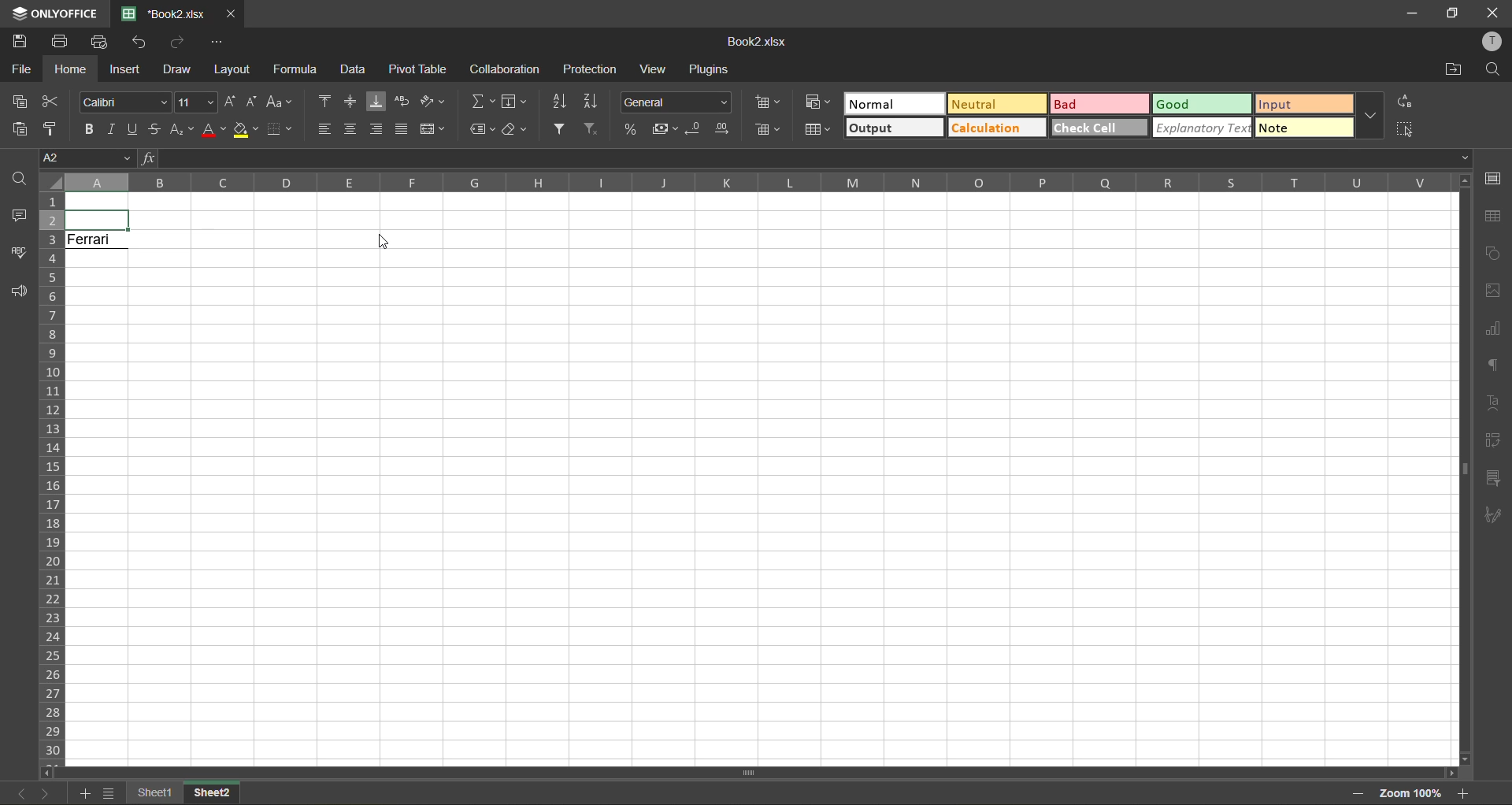 Image resolution: width=1512 pixels, height=805 pixels. What do you see at coordinates (113, 129) in the screenshot?
I see `italic` at bounding box center [113, 129].